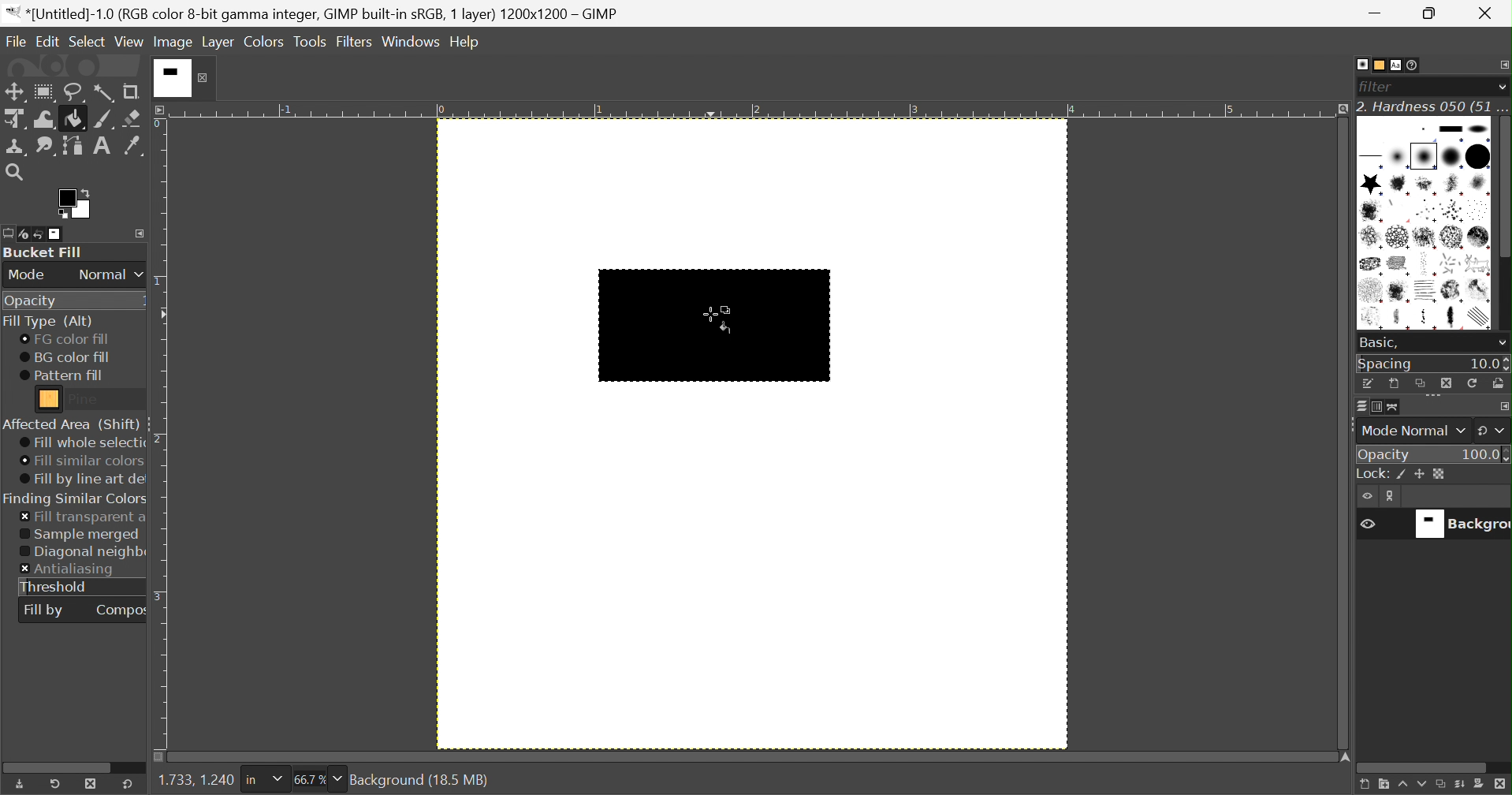  I want to click on , so click(1371, 474).